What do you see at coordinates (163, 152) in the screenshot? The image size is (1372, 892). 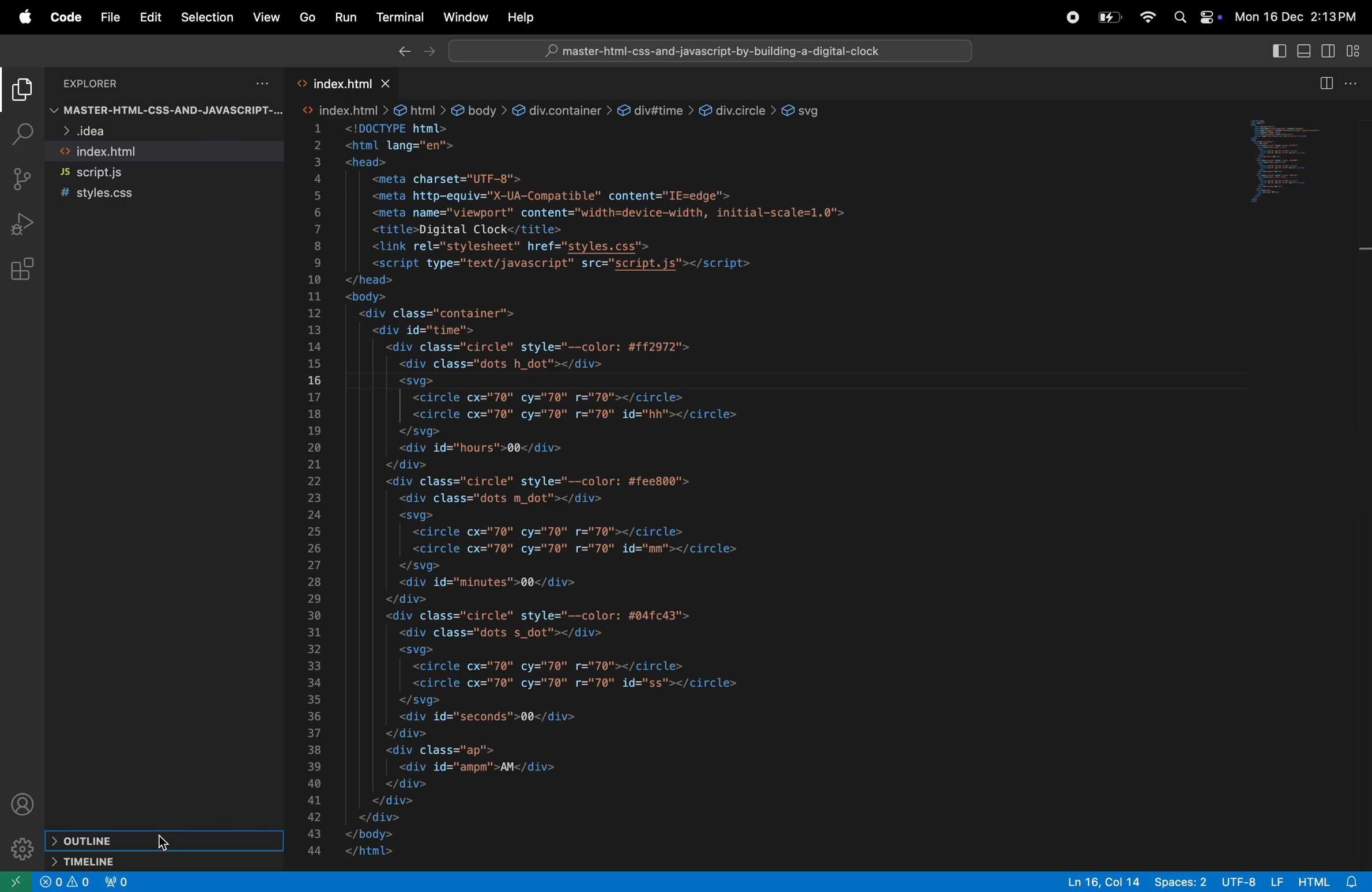 I see `index.html` at bounding box center [163, 152].